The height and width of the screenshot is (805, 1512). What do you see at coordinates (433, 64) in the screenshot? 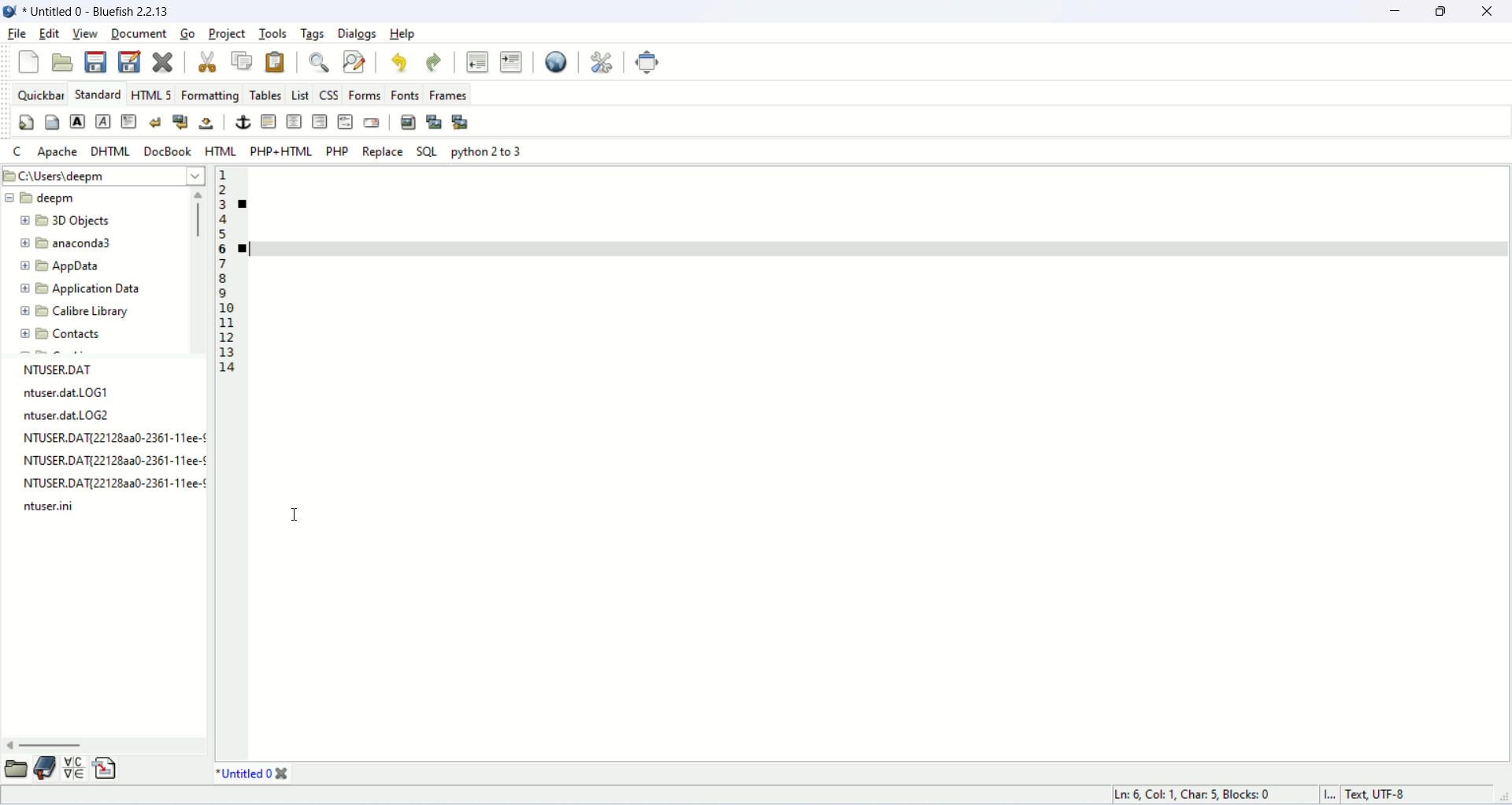
I see `redo` at bounding box center [433, 64].